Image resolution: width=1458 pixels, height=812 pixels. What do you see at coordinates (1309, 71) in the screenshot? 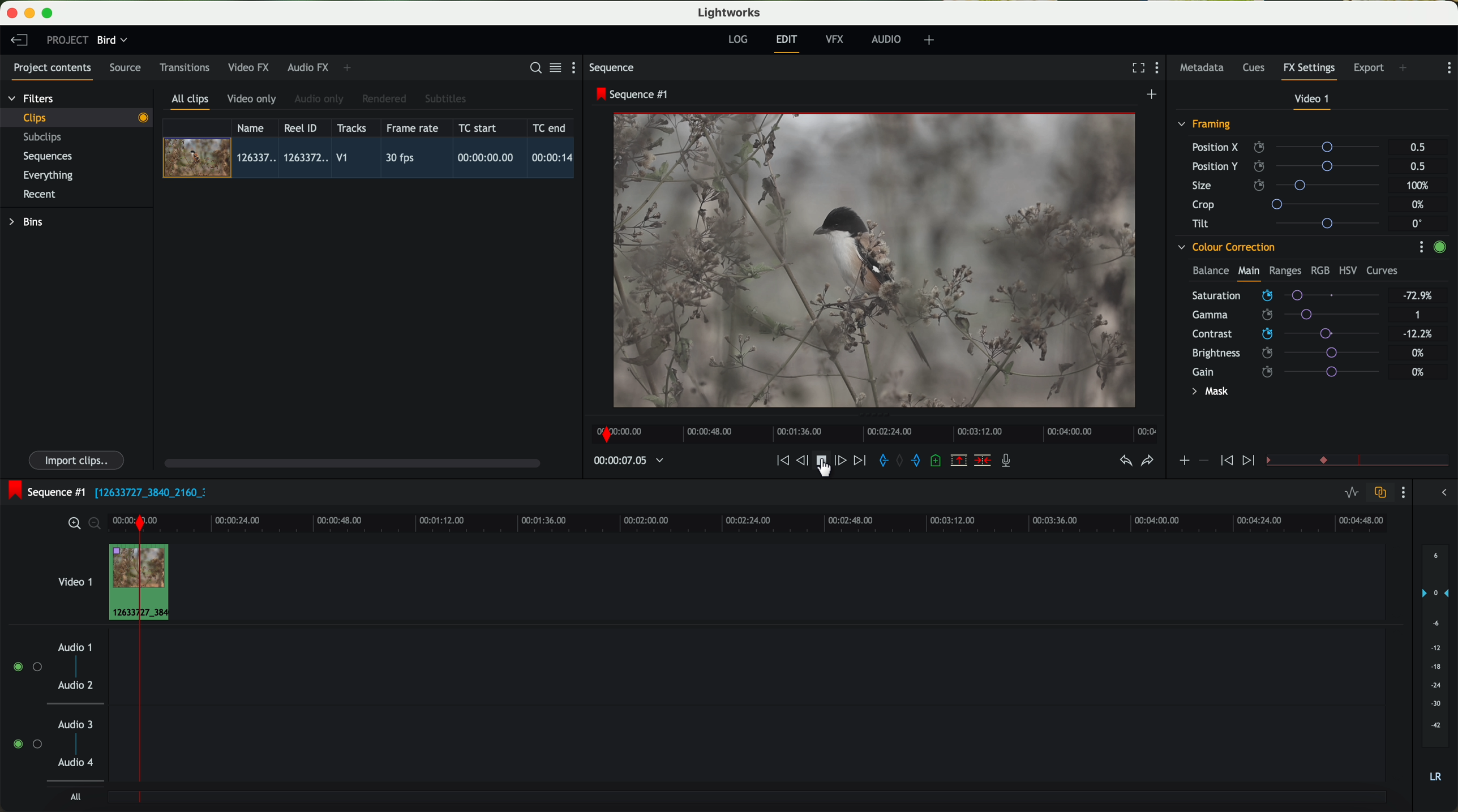
I see `fx settings` at bounding box center [1309, 71].